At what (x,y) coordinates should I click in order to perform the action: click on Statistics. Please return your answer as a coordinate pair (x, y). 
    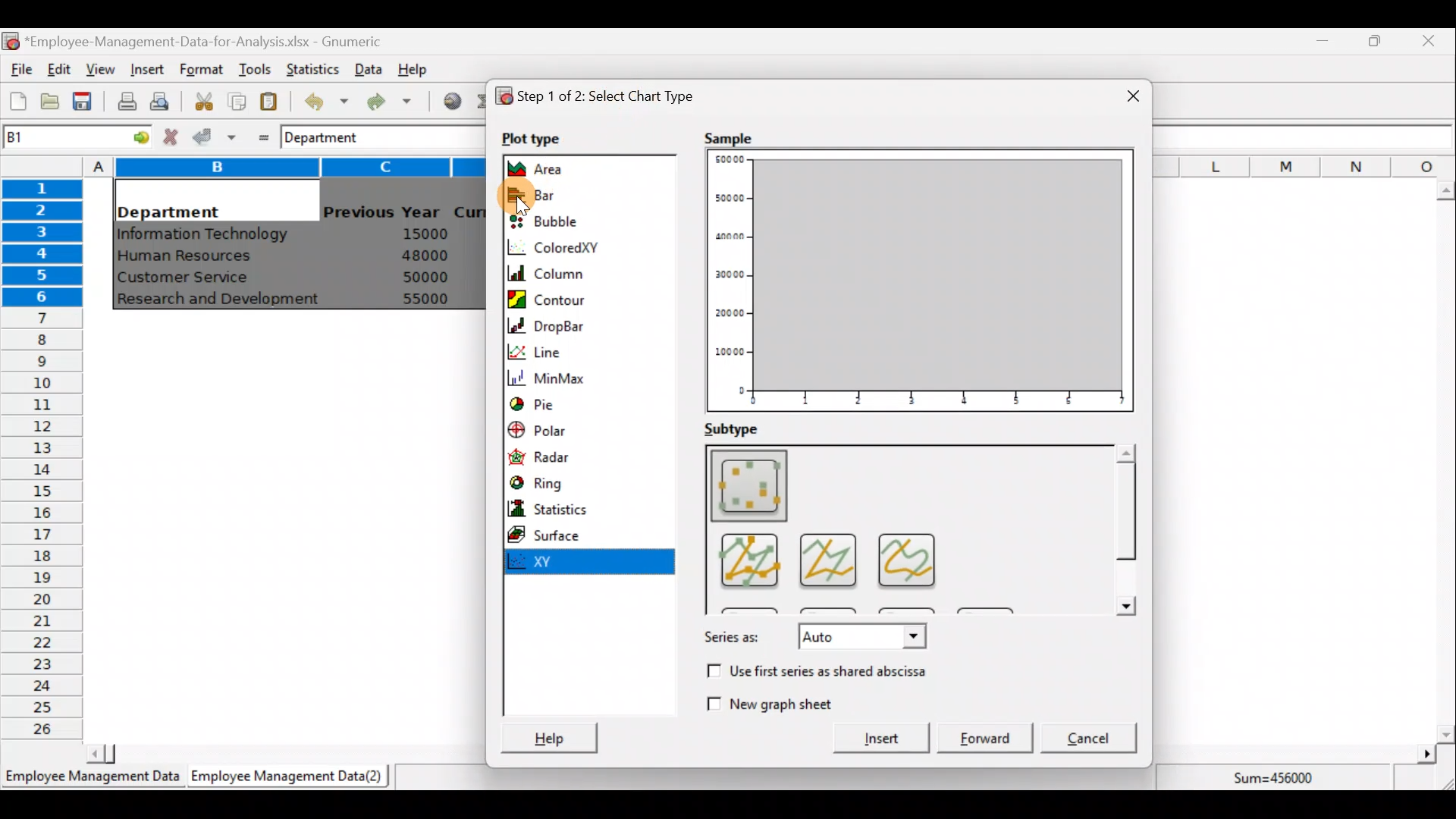
    Looking at the image, I should click on (563, 505).